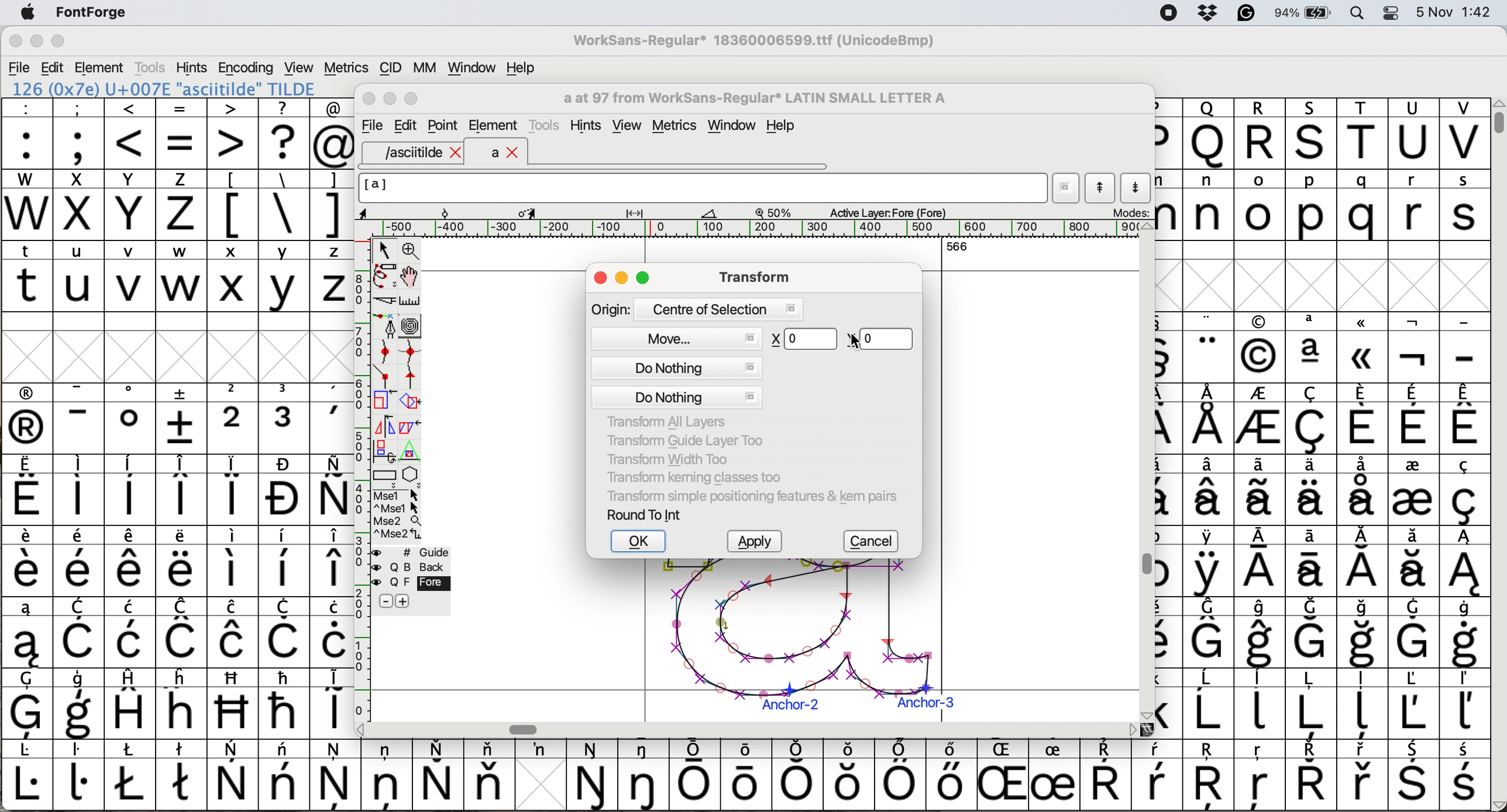 The height and width of the screenshot is (812, 1507). What do you see at coordinates (1464, 134) in the screenshot?
I see `V` at bounding box center [1464, 134].